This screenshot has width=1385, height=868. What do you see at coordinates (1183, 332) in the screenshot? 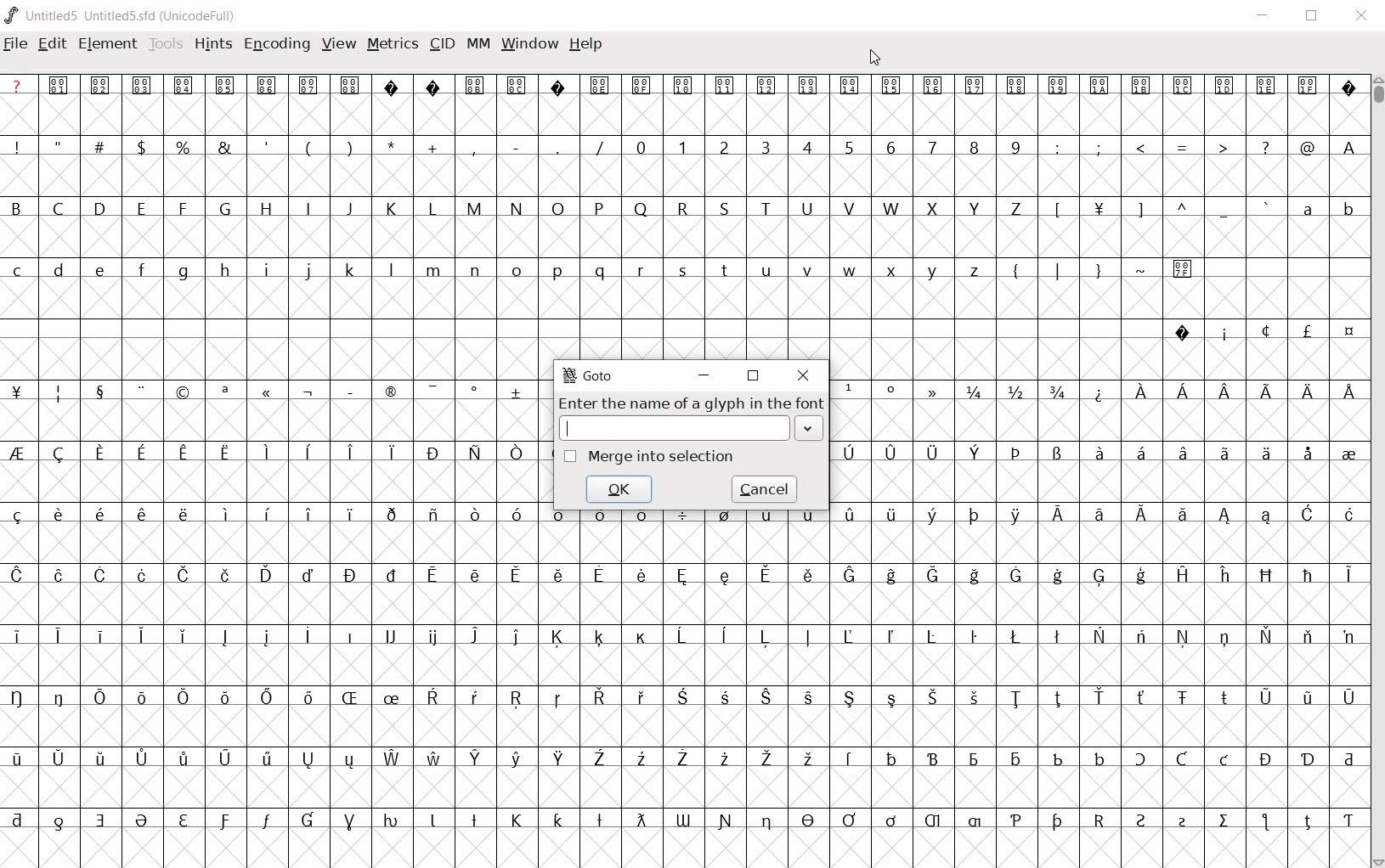
I see `Symbol` at bounding box center [1183, 332].